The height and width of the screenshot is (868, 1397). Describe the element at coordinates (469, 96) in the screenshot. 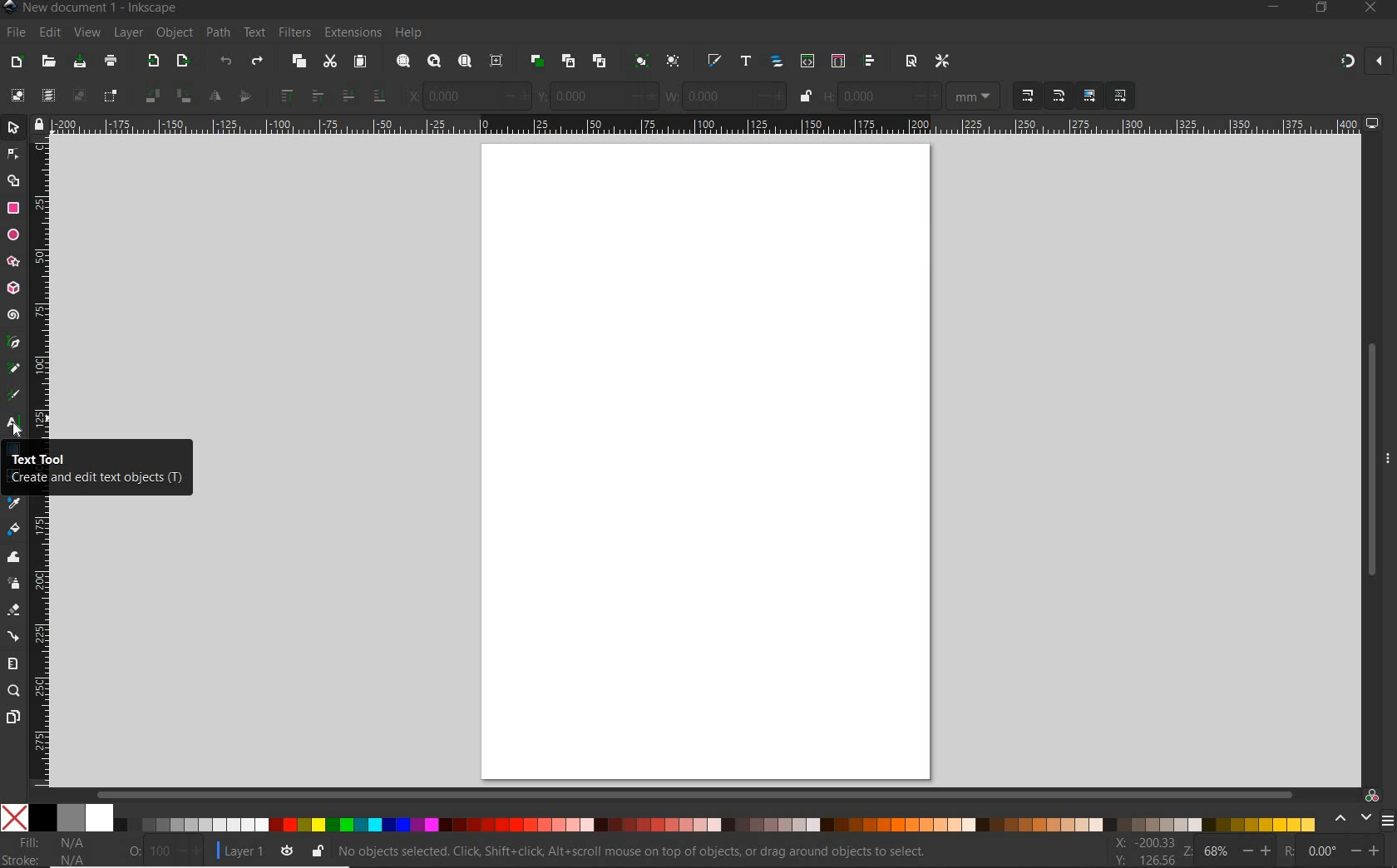

I see `horizontal coordinate selection` at that location.